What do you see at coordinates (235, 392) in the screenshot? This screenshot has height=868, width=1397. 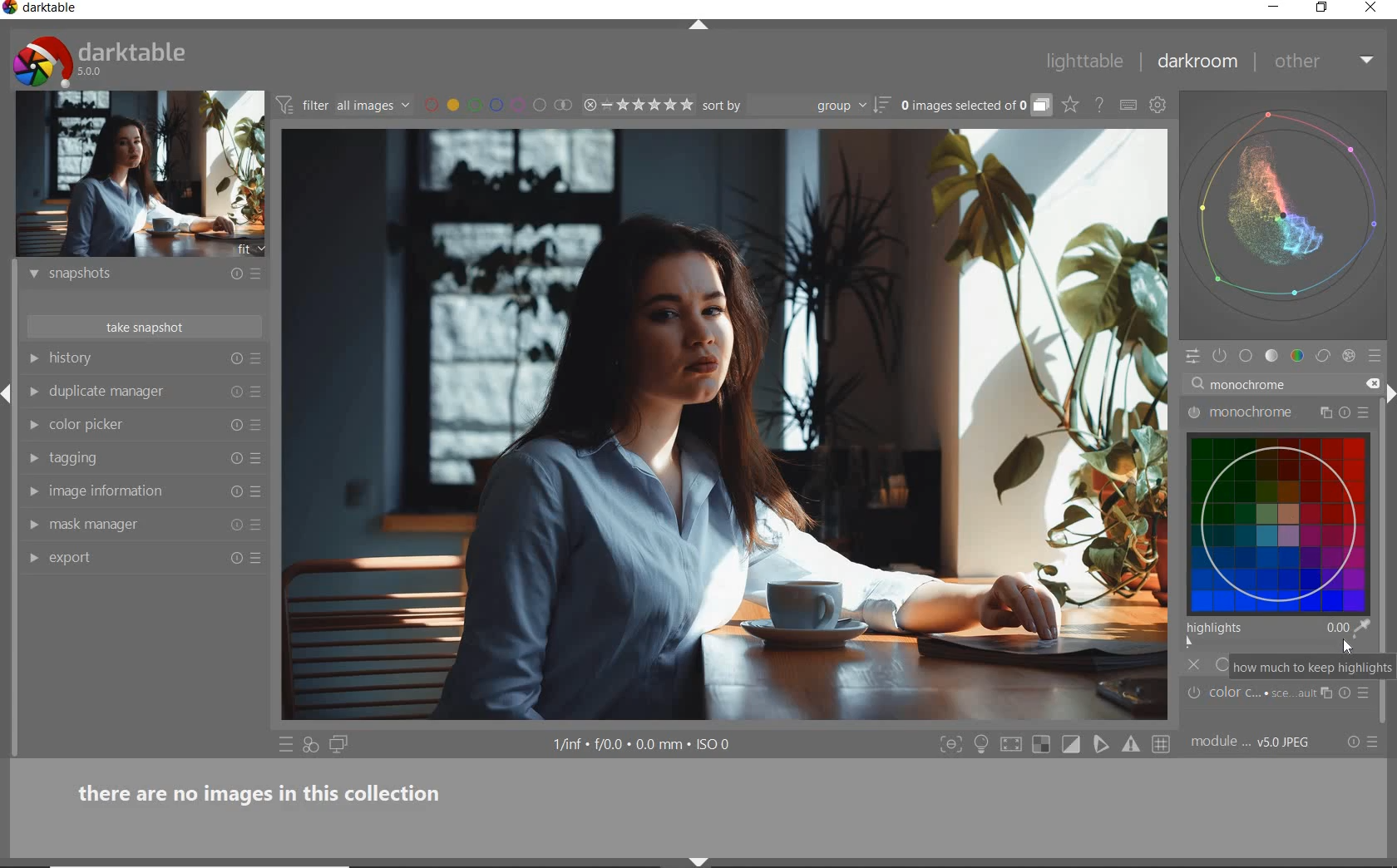 I see `reset` at bounding box center [235, 392].